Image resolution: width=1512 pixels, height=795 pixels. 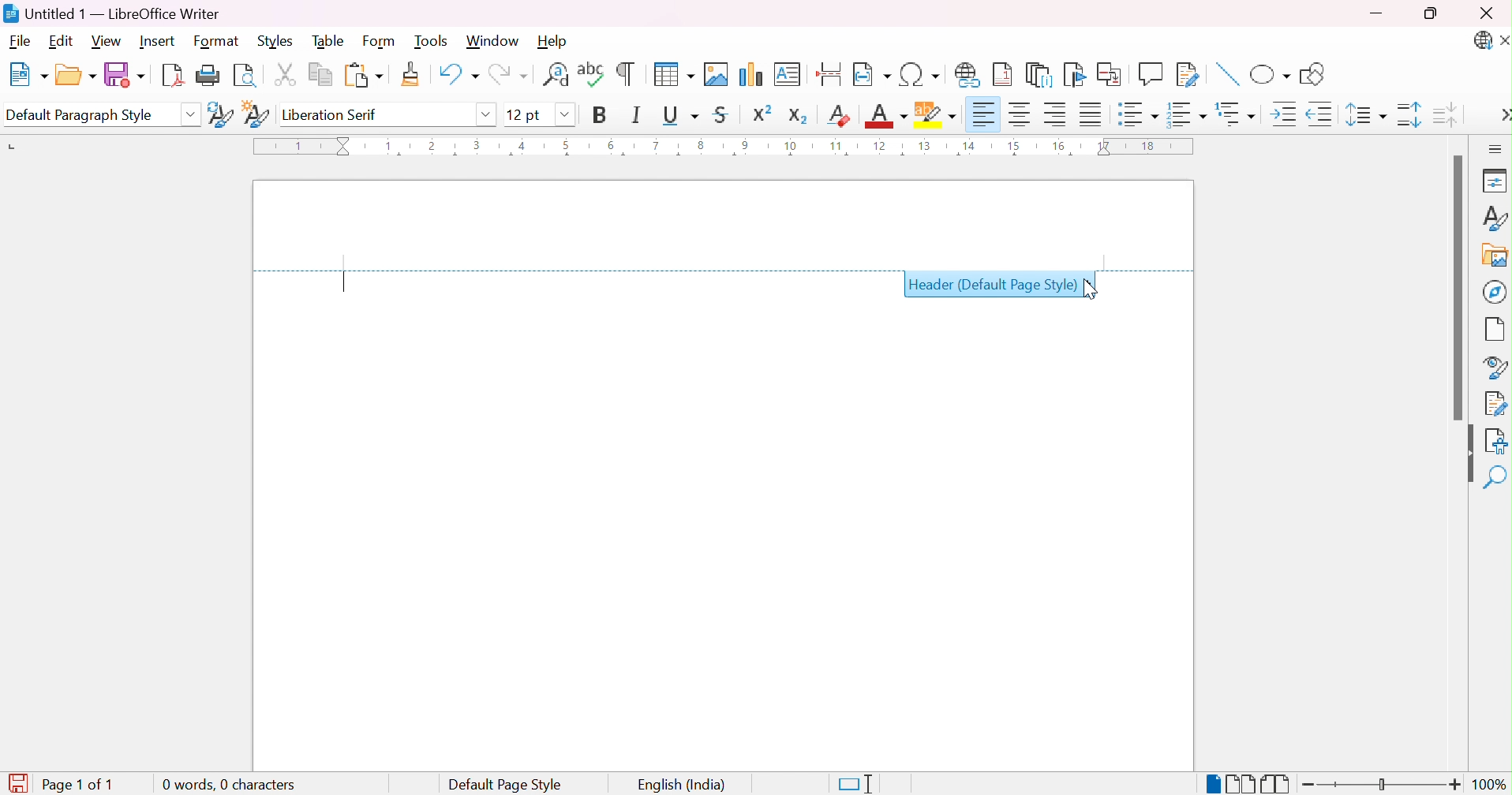 I want to click on Style inspector, so click(x=1497, y=368).